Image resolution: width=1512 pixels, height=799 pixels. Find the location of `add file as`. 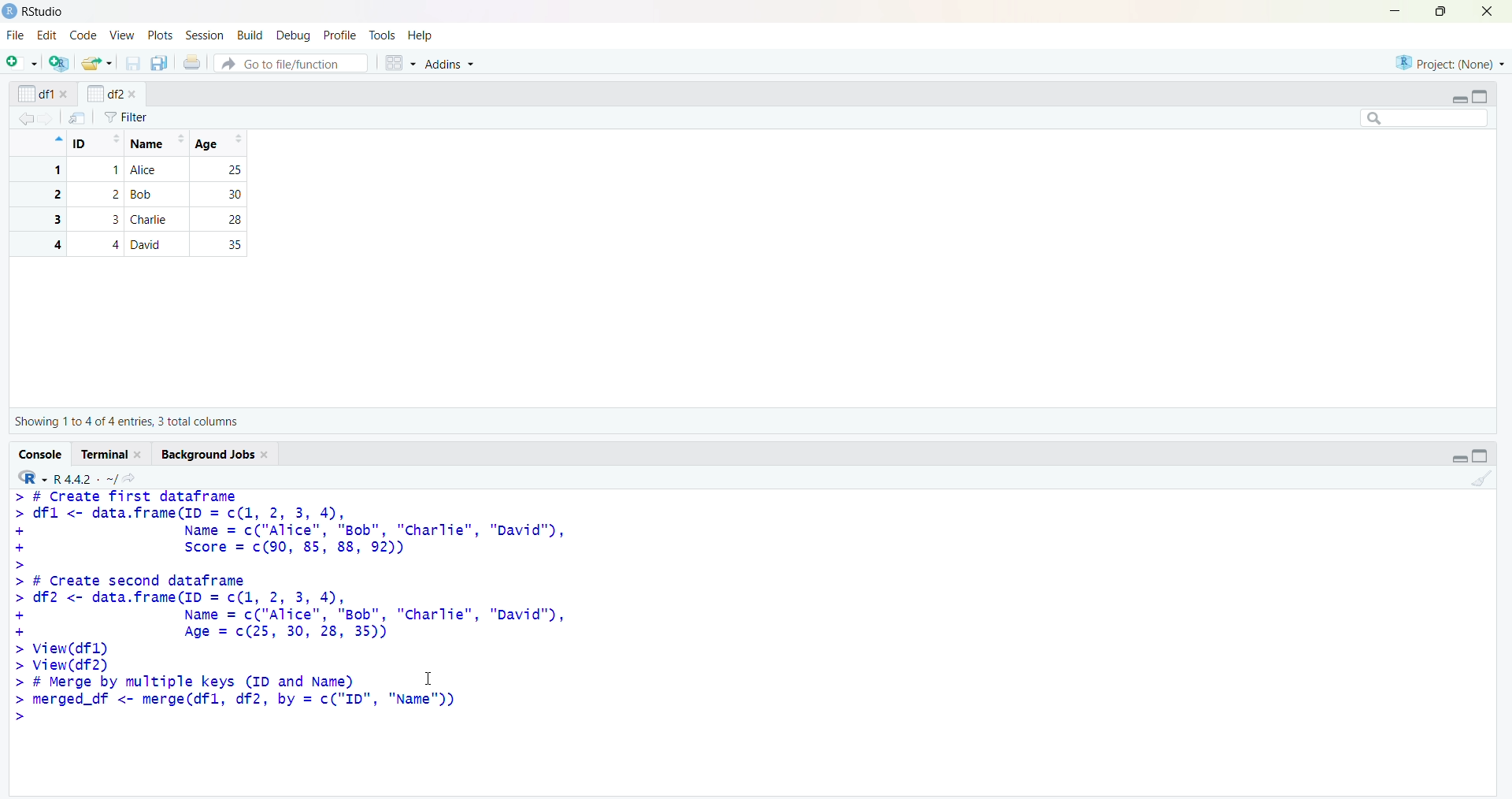

add file as is located at coordinates (25, 62).